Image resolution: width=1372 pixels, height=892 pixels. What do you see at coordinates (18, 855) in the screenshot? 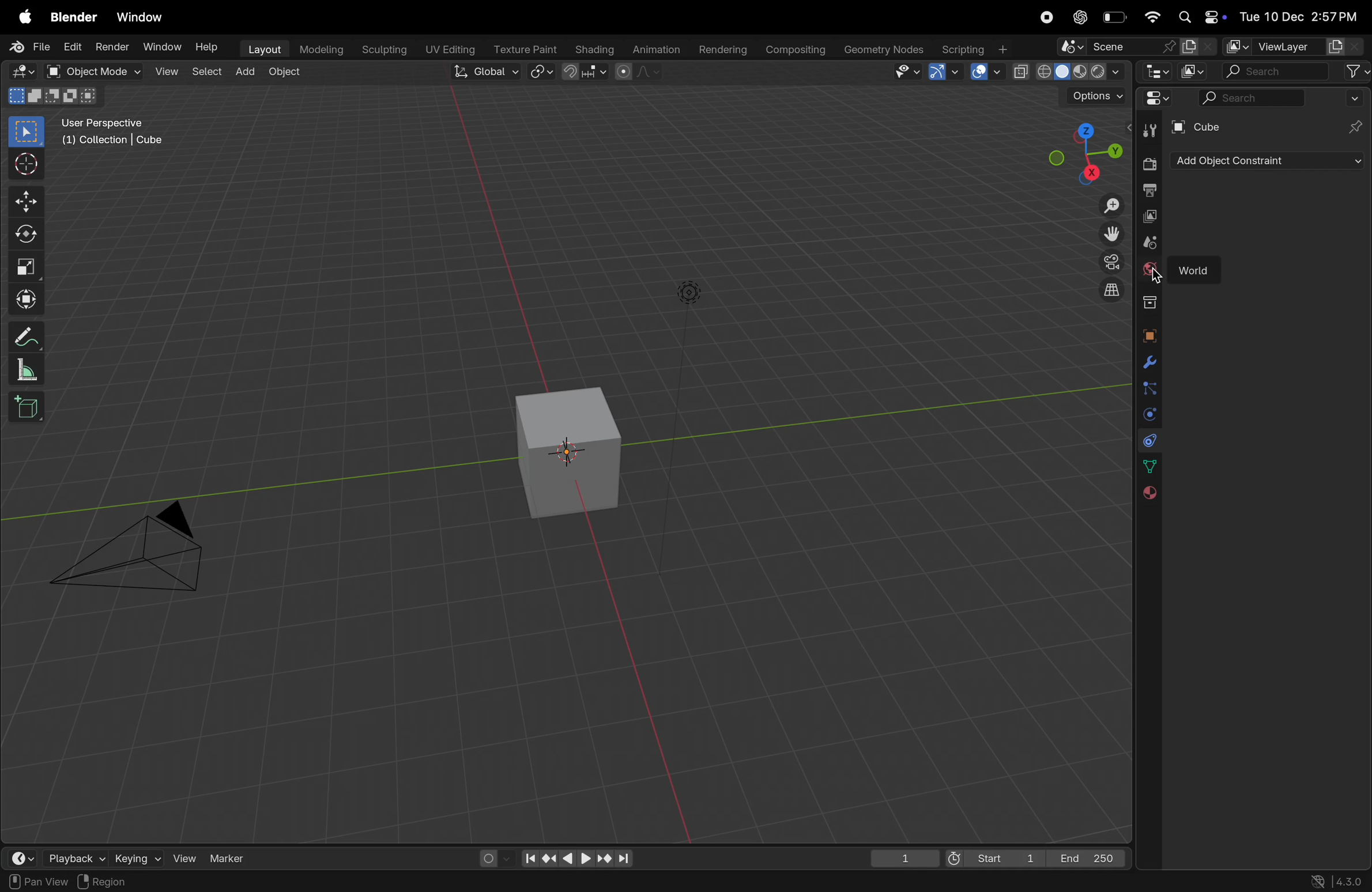
I see `view` at bounding box center [18, 855].